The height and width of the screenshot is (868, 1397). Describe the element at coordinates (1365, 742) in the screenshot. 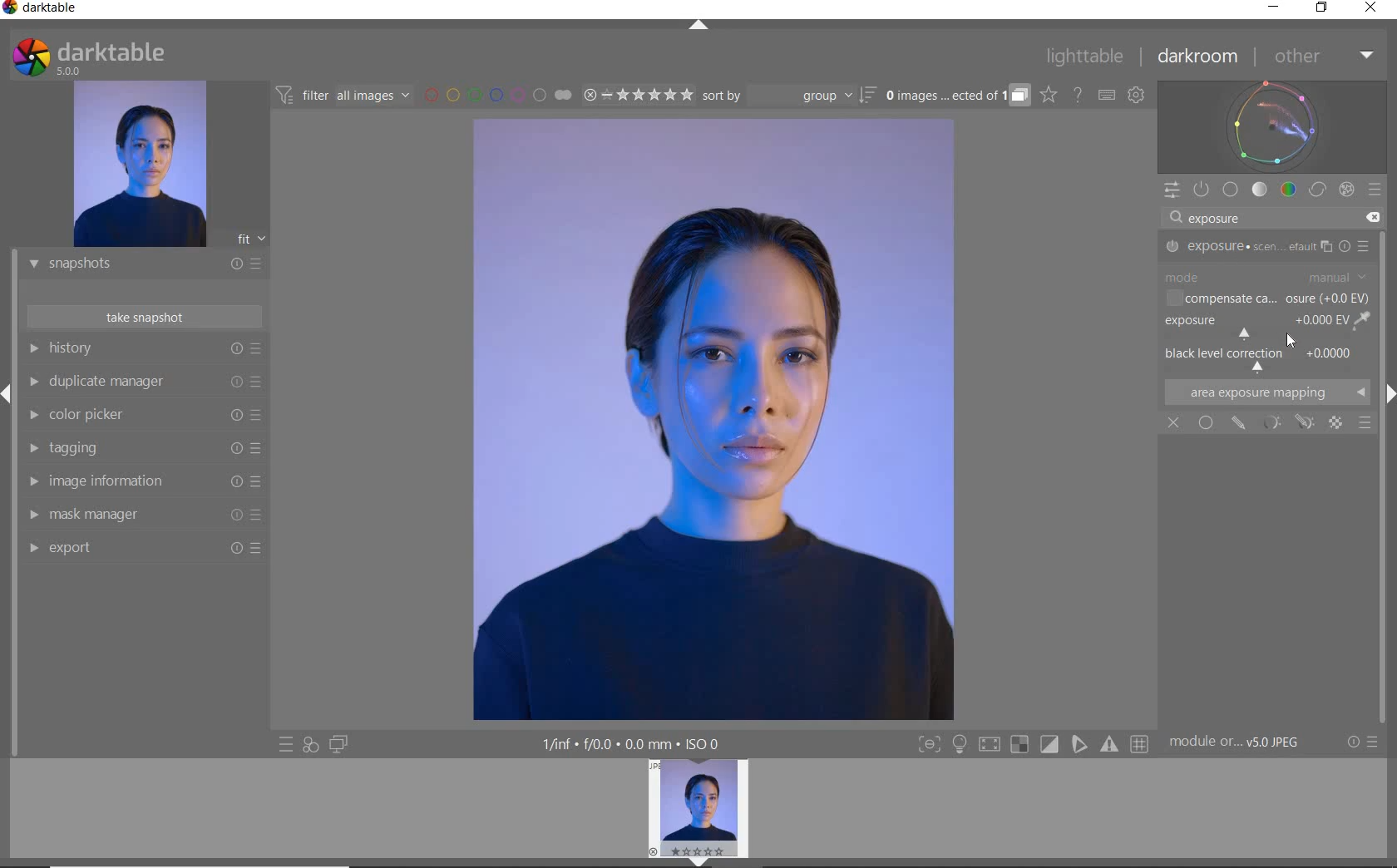

I see `RESET OR PRESETS & PREFERENCES` at that location.